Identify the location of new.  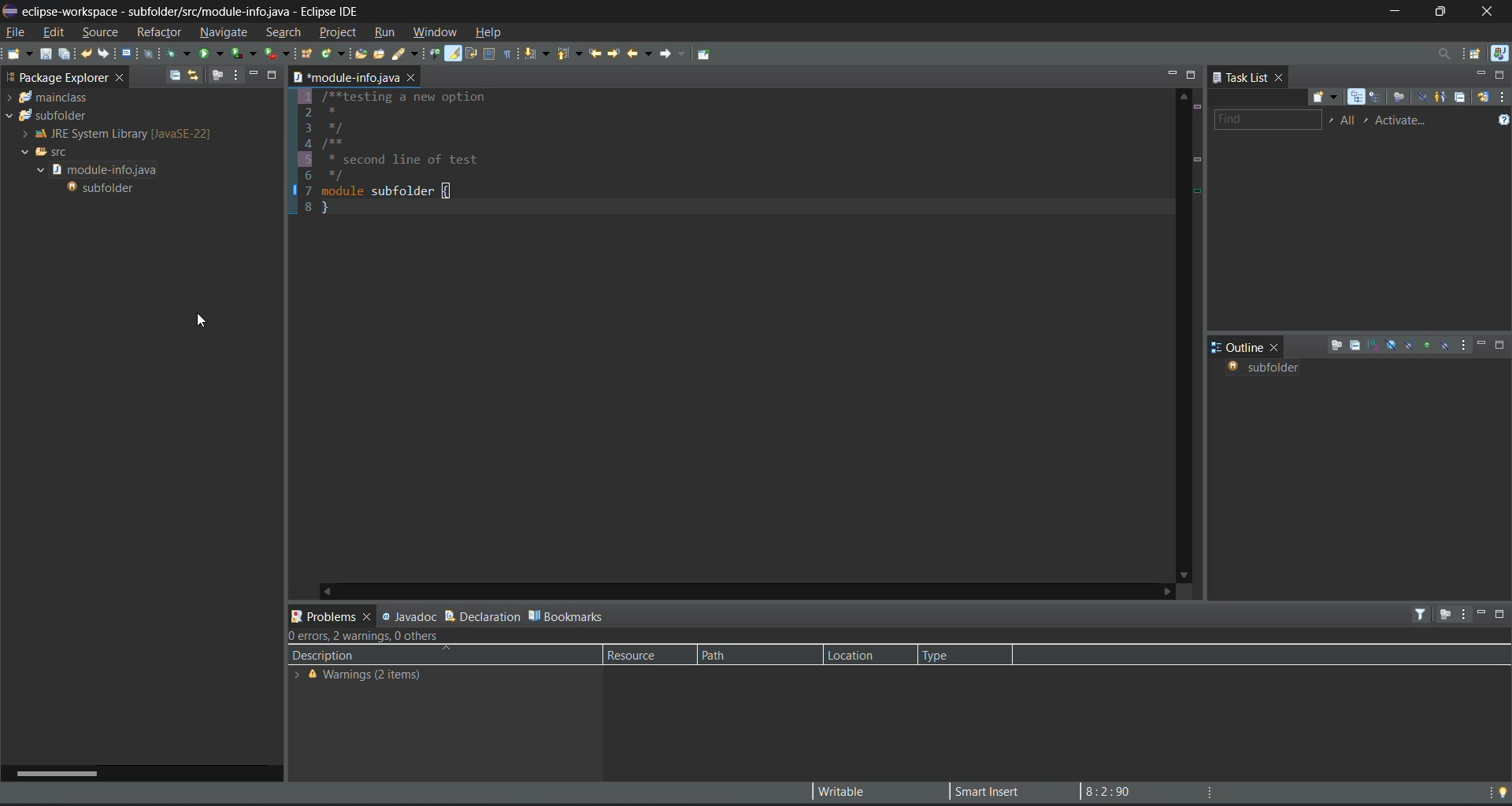
(18, 54).